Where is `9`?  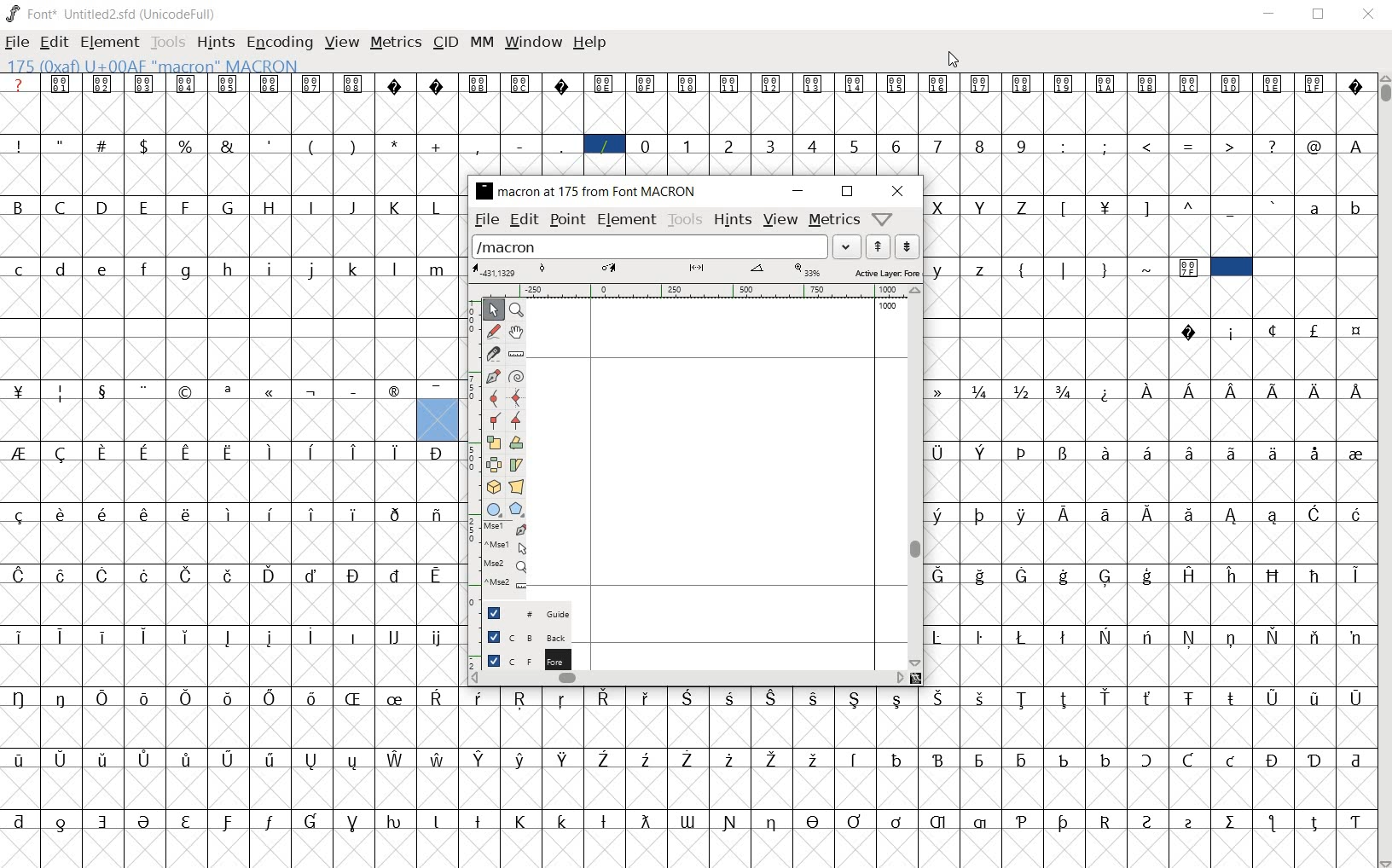
9 is located at coordinates (1024, 145).